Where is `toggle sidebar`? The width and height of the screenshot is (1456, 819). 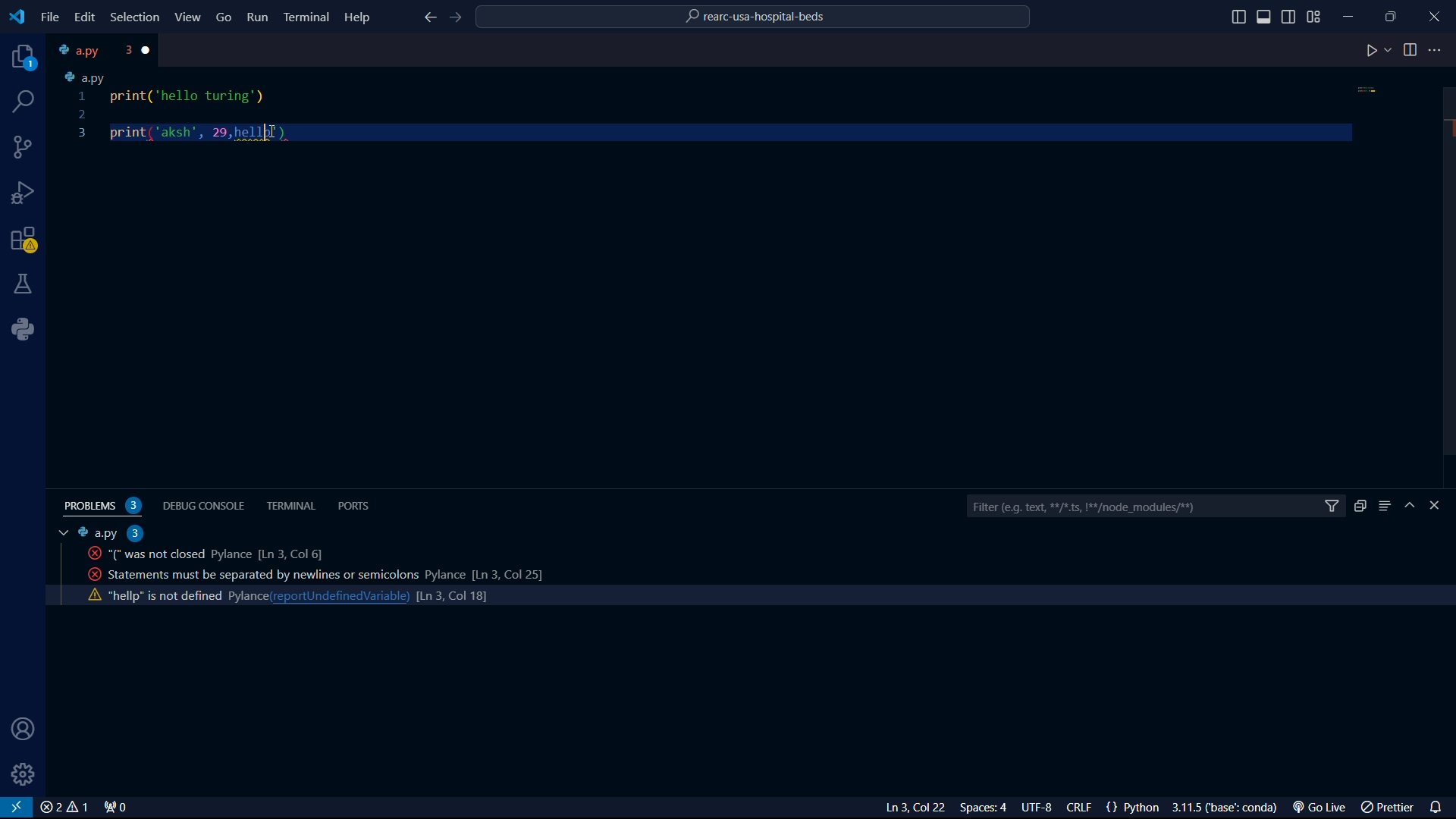
toggle sidebar is located at coordinates (1266, 17).